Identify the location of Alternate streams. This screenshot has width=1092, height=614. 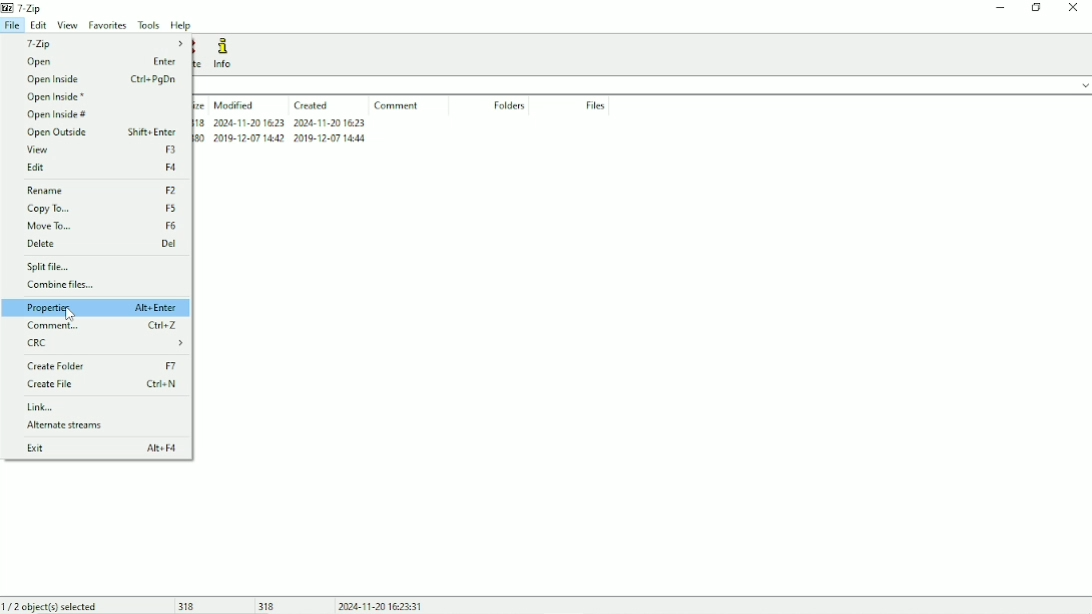
(68, 425).